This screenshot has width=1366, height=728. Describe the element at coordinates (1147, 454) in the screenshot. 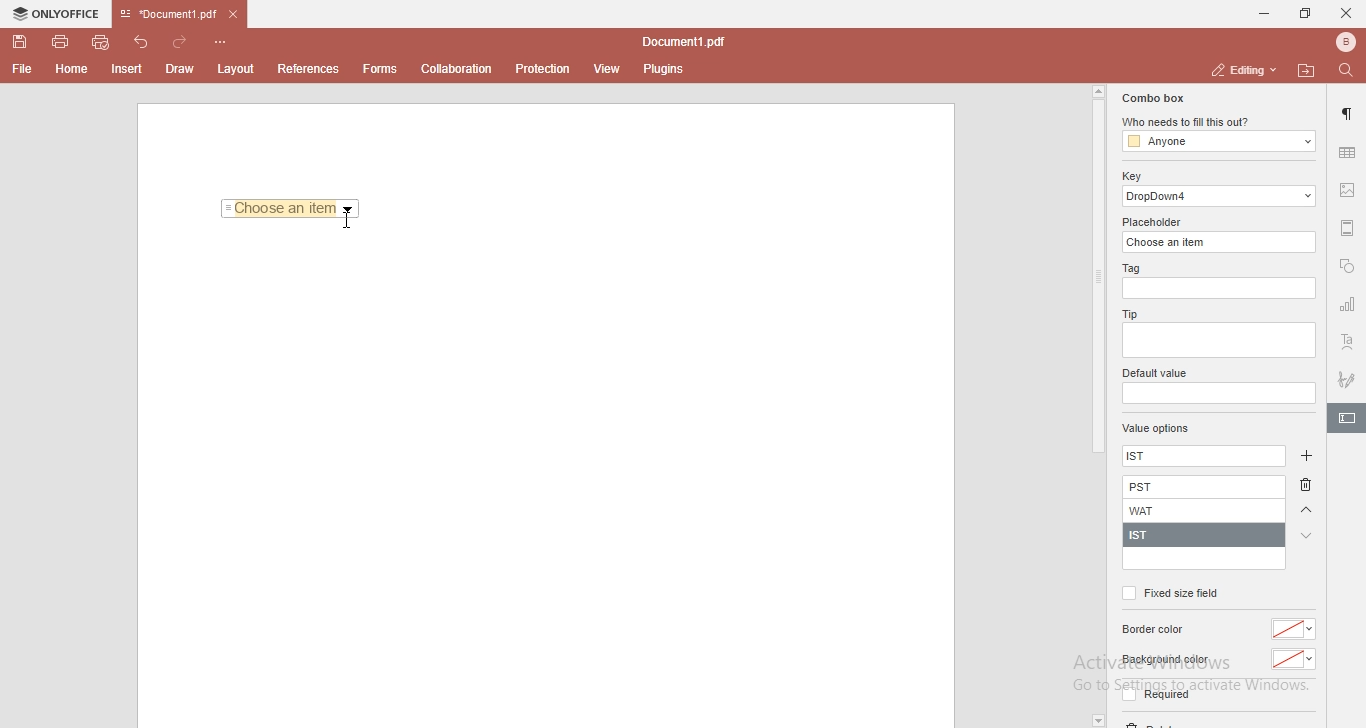

I see `ist` at that location.